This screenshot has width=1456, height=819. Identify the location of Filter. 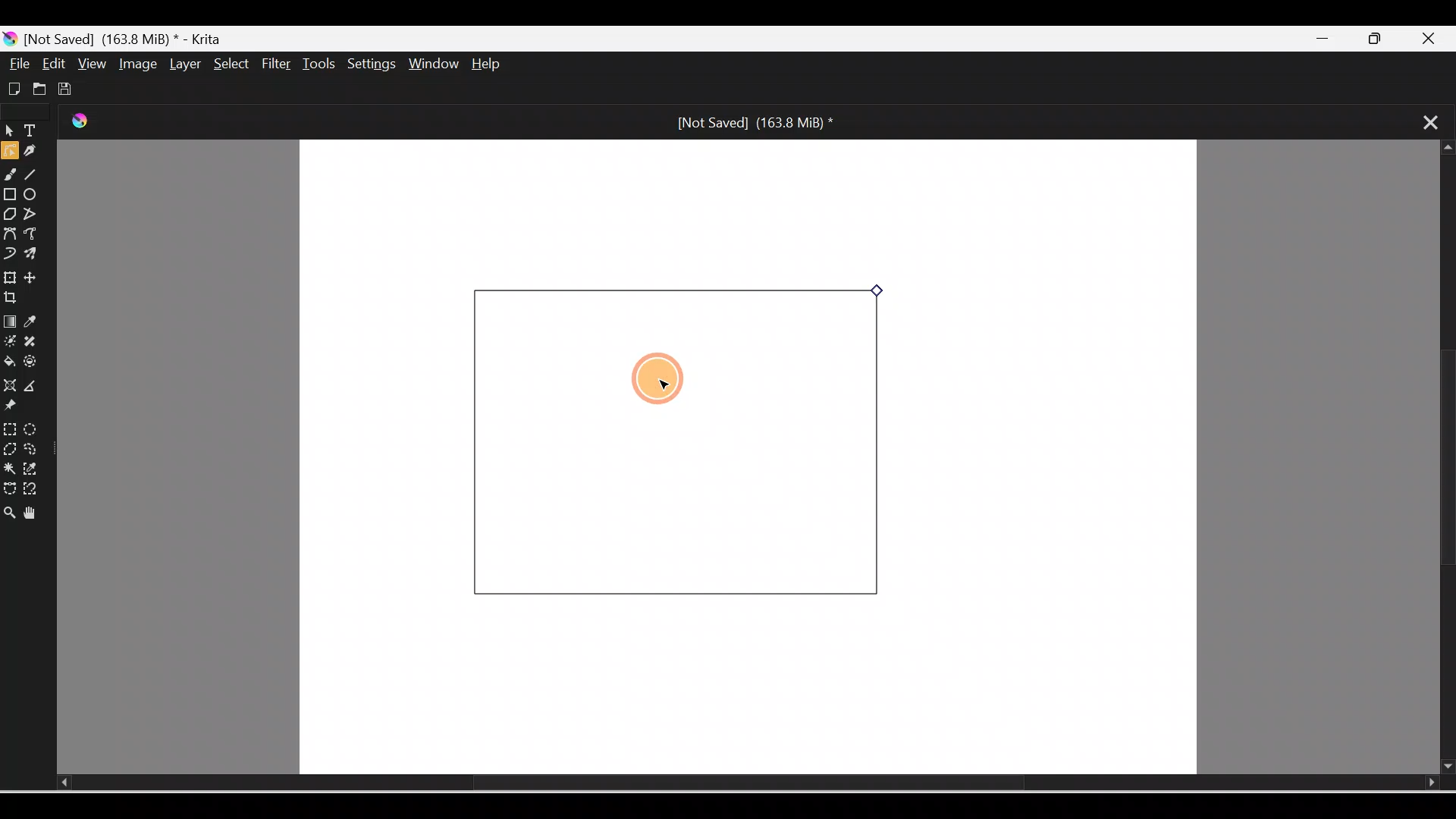
(277, 64).